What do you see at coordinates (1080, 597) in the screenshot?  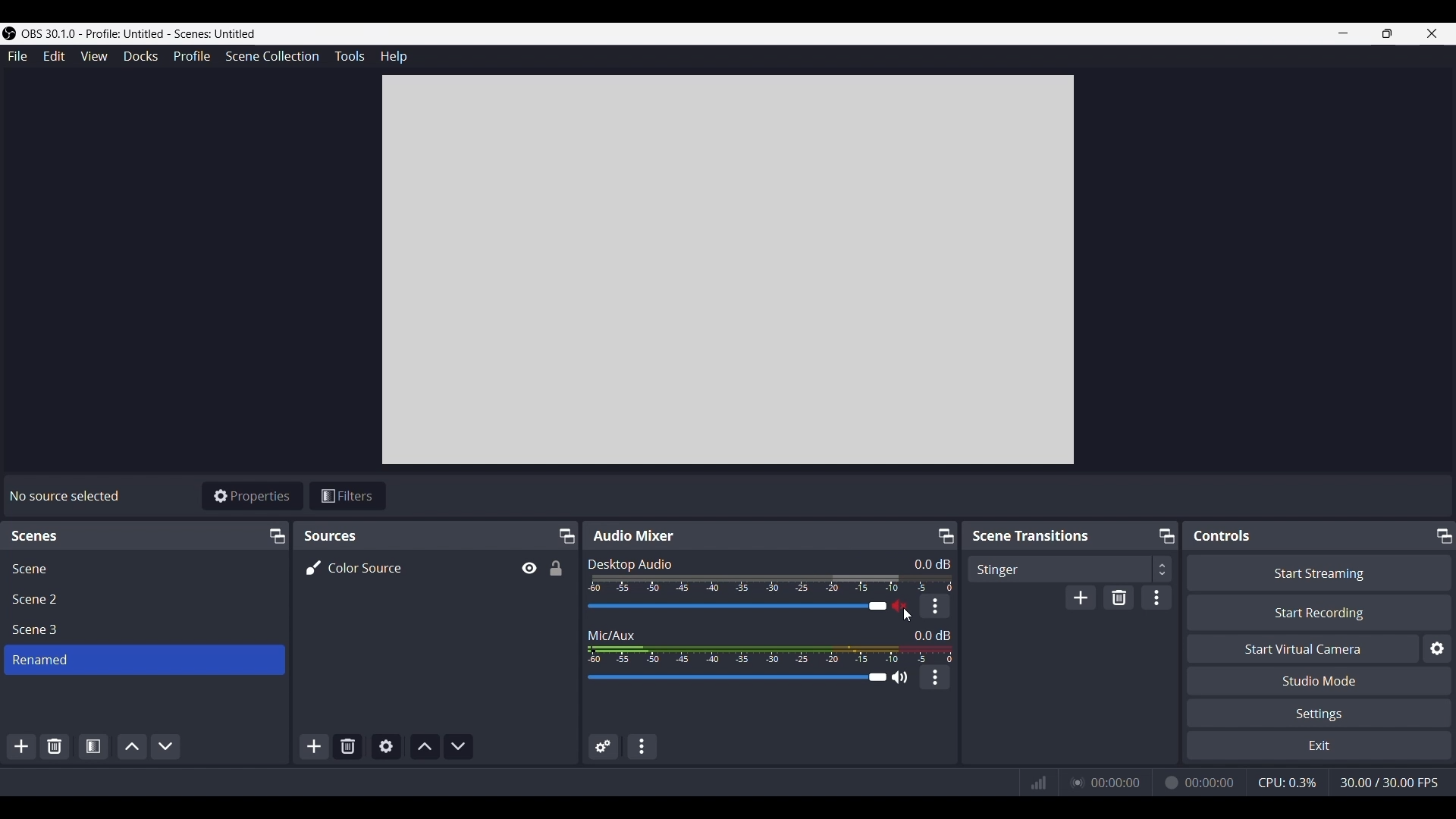 I see `Add new transition` at bounding box center [1080, 597].